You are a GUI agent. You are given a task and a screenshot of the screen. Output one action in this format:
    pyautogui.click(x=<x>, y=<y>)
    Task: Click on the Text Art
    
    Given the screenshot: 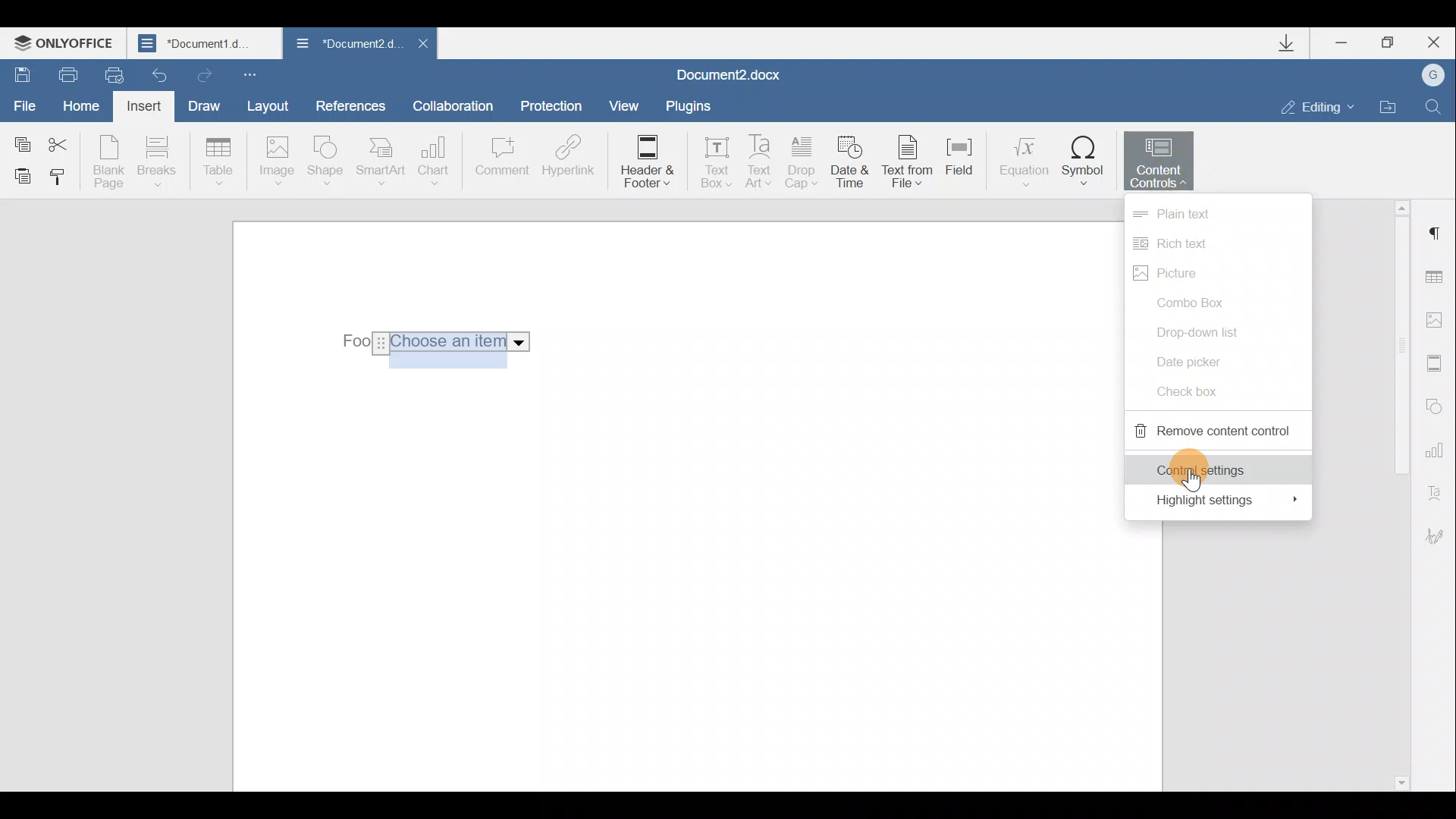 What is the action you would take?
    pyautogui.click(x=761, y=162)
    